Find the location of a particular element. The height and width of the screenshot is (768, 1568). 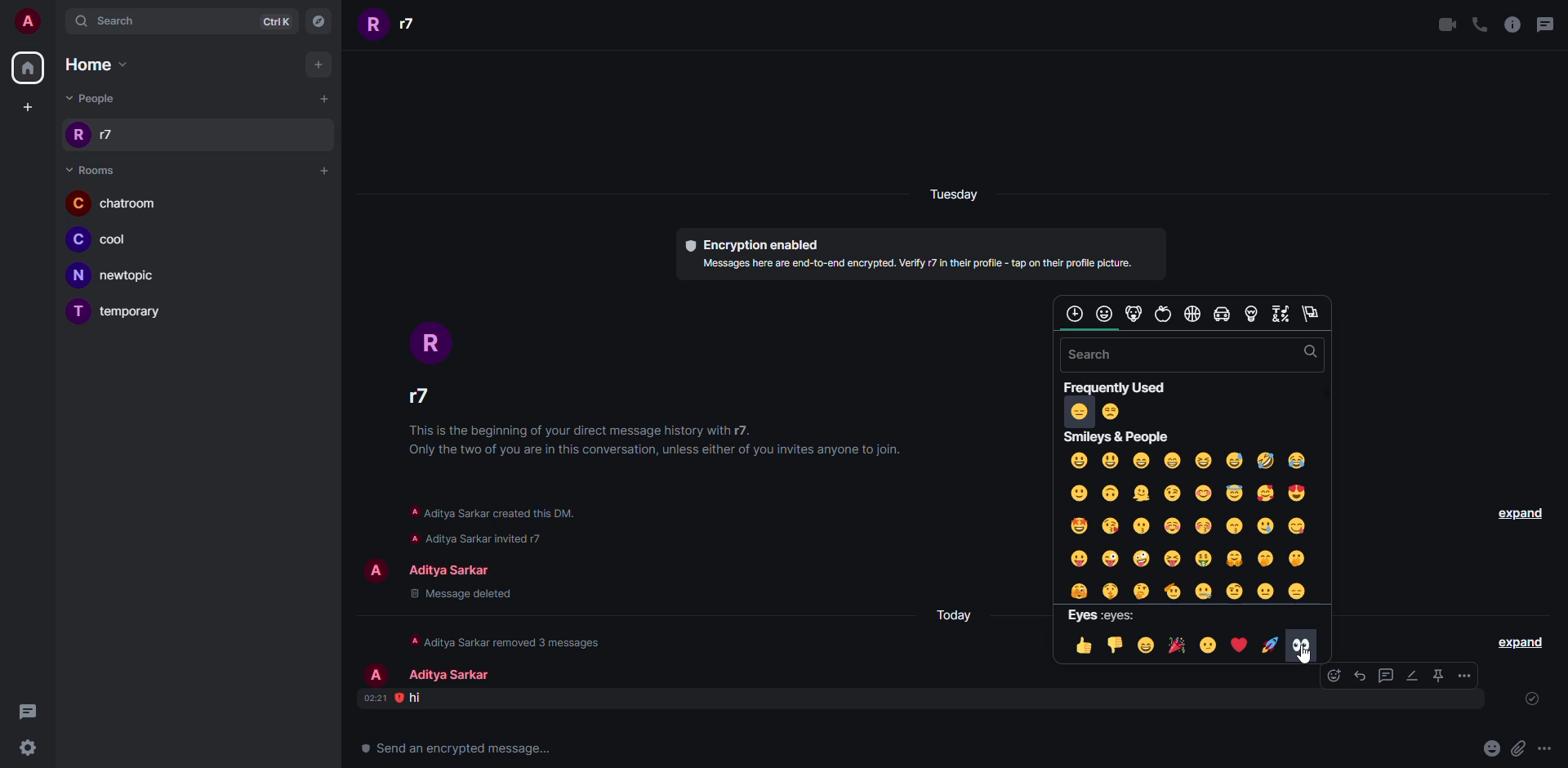

search is located at coordinates (1098, 355).